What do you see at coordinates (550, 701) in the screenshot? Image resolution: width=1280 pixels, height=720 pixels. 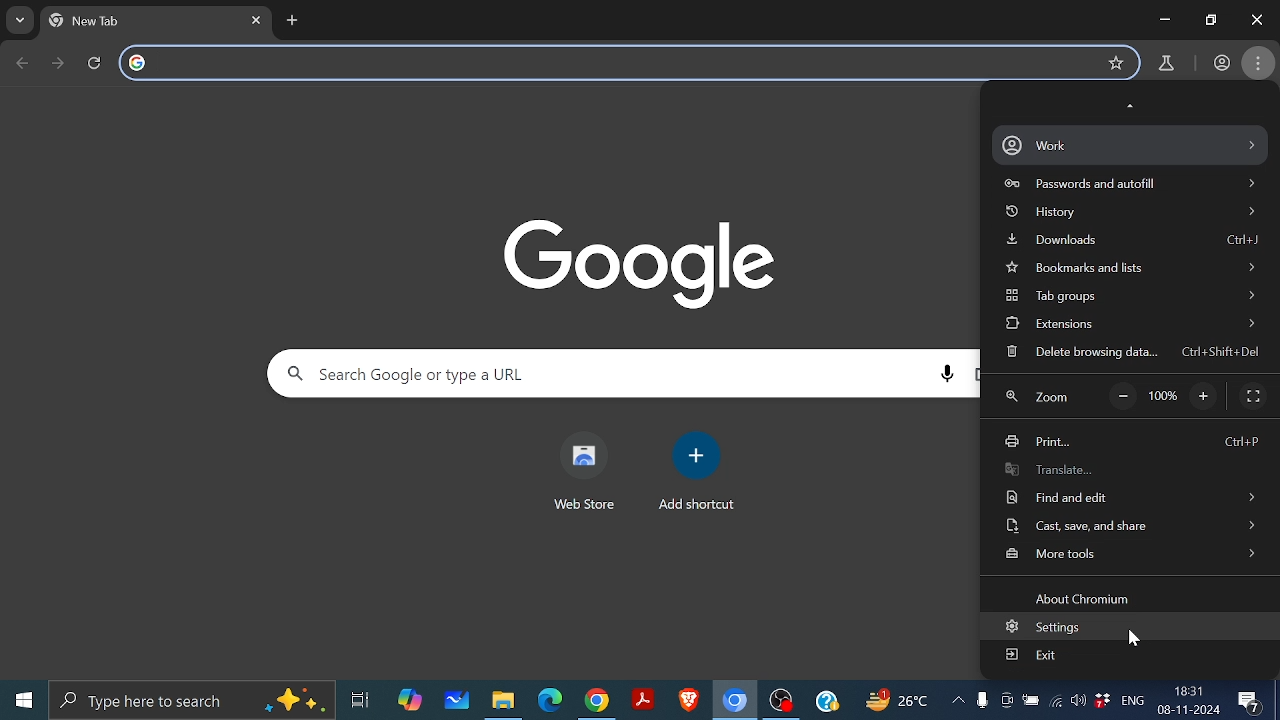 I see `windows edge` at bounding box center [550, 701].